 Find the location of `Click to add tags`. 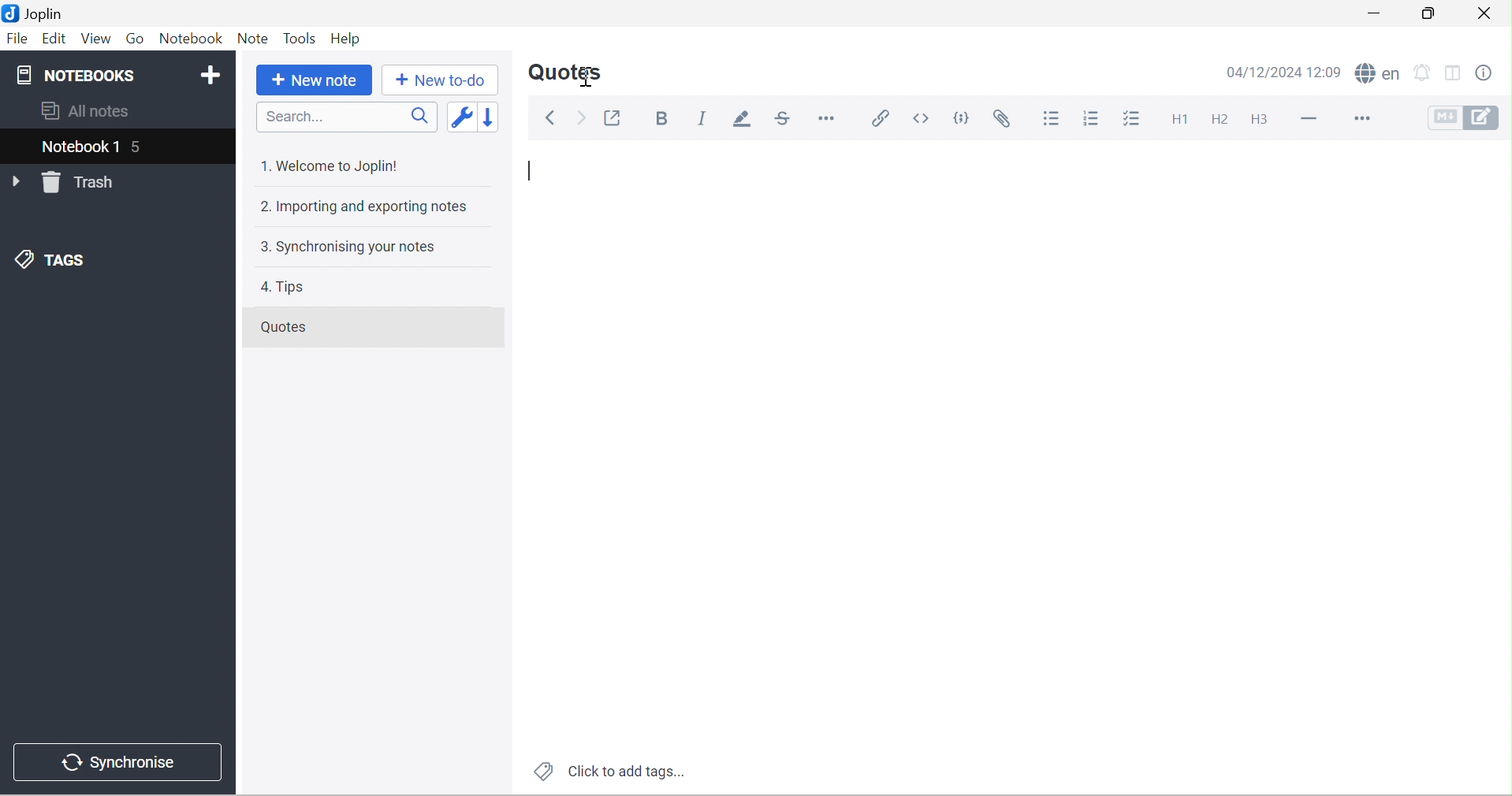

Click to add tags is located at coordinates (612, 770).